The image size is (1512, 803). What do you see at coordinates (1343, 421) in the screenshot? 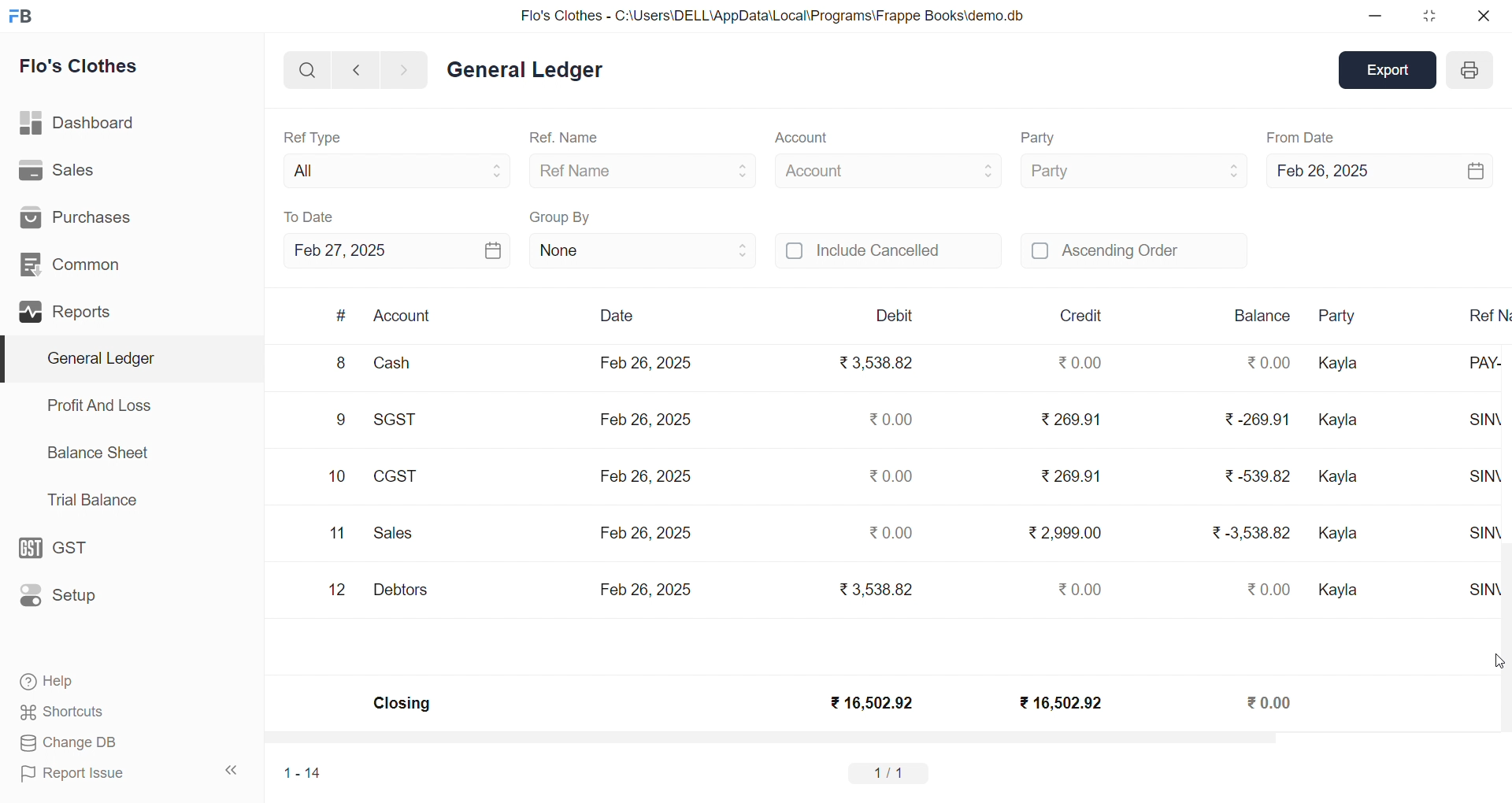
I see `Kayla` at bounding box center [1343, 421].